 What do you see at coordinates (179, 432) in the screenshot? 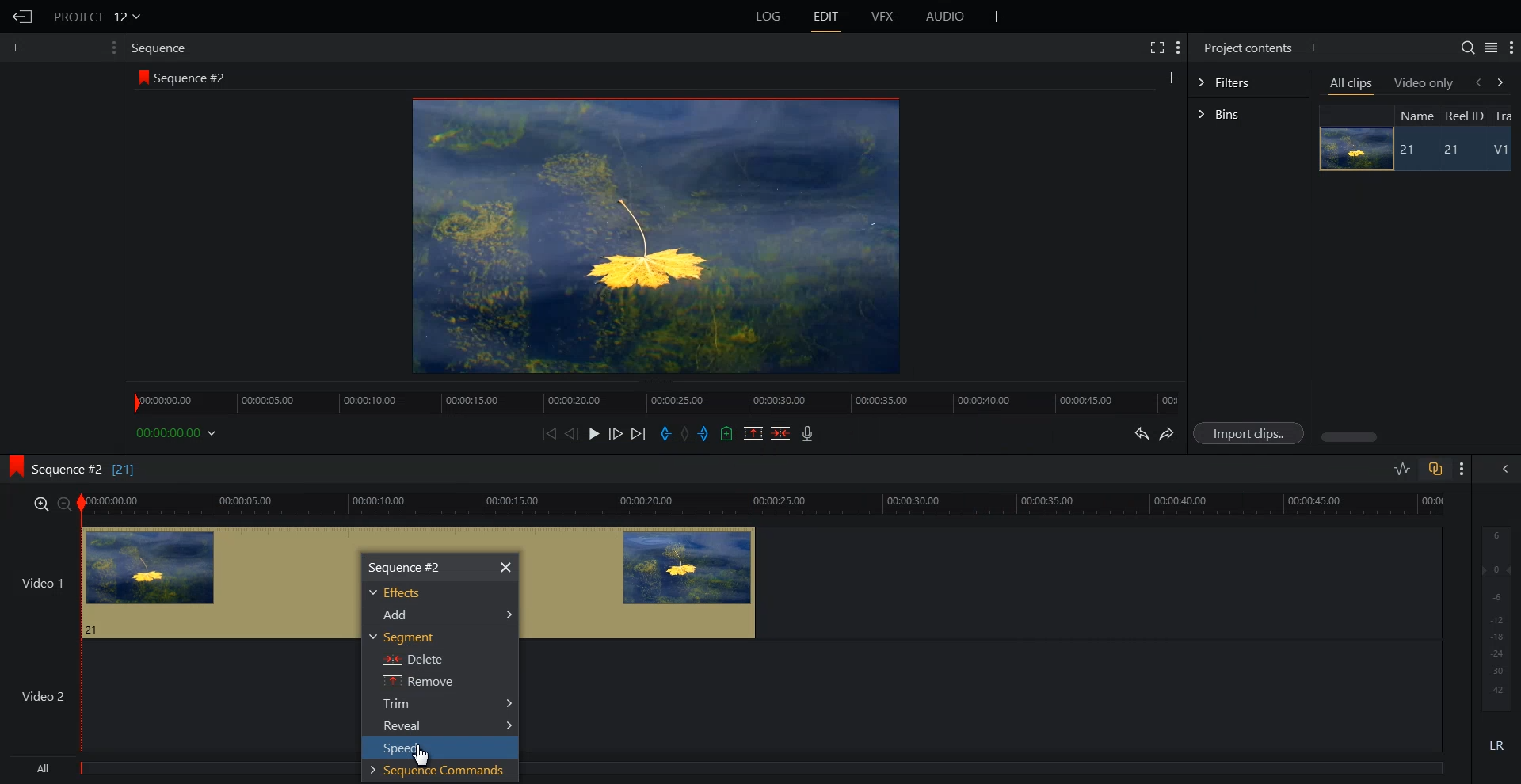
I see `00:00:00.00` at bounding box center [179, 432].